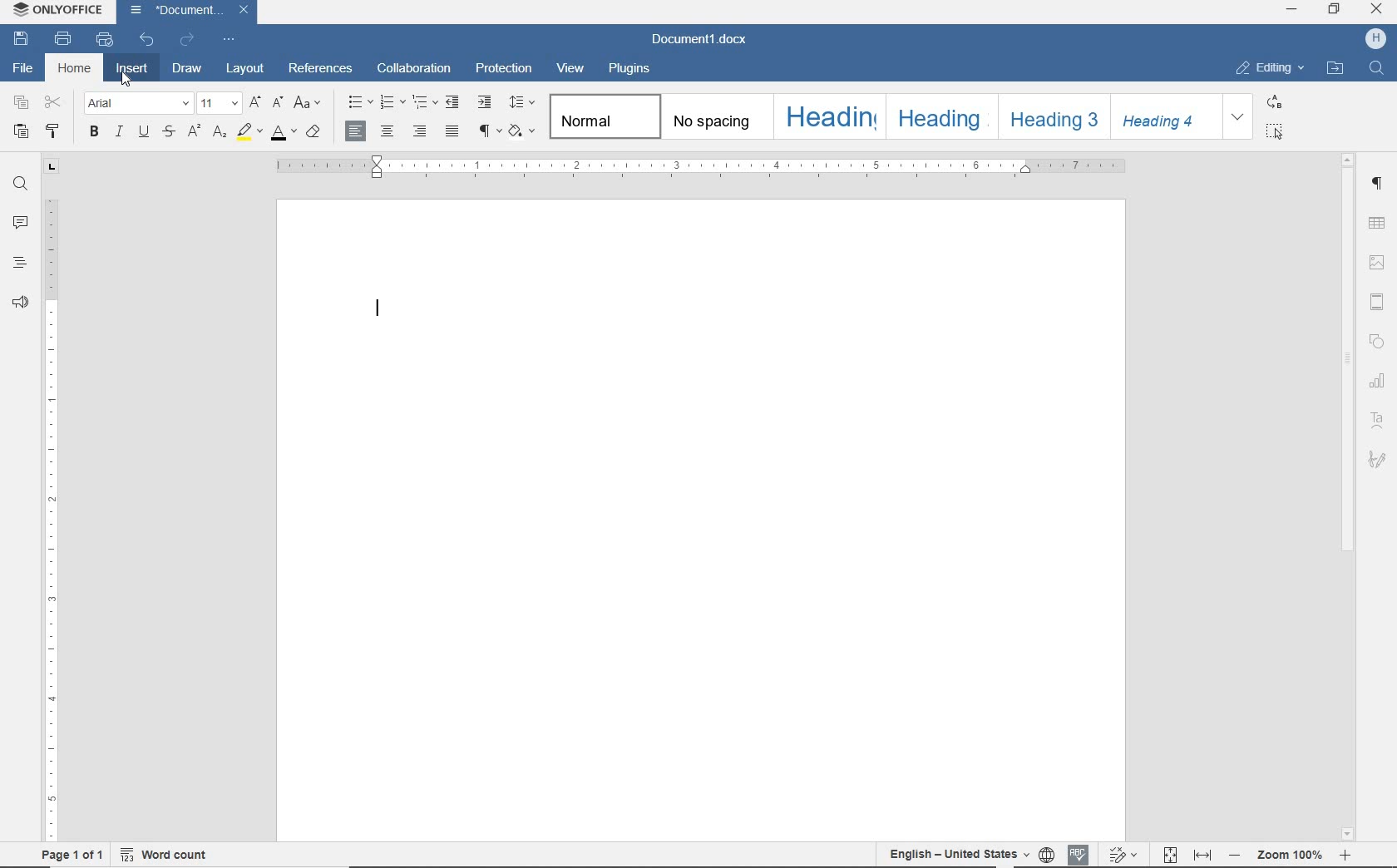 The height and width of the screenshot is (868, 1397). Describe the element at coordinates (313, 132) in the screenshot. I see `clear style` at that location.